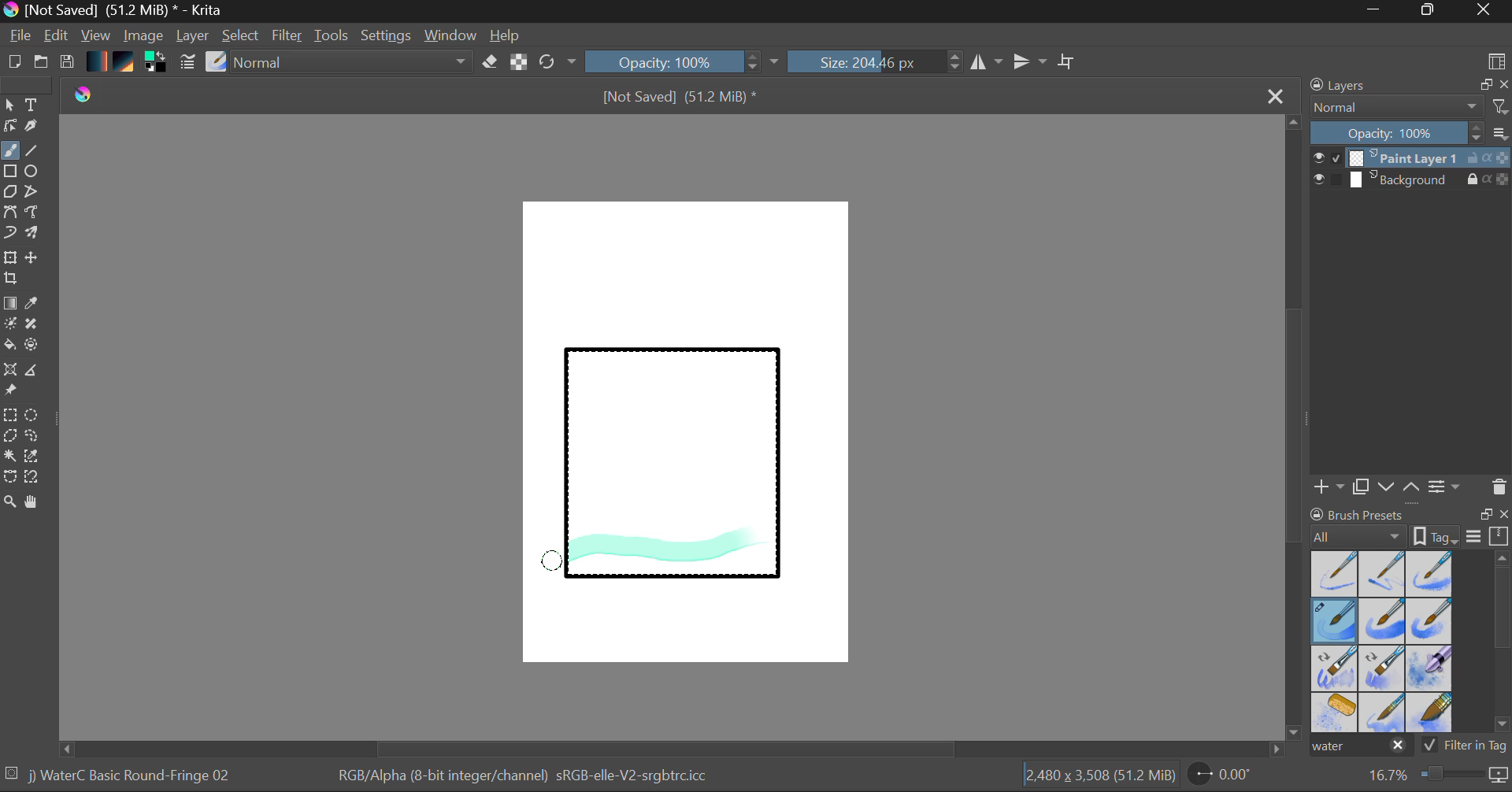 This screenshot has height=792, width=1512. What do you see at coordinates (1411, 180) in the screenshot?
I see `Background Layer` at bounding box center [1411, 180].